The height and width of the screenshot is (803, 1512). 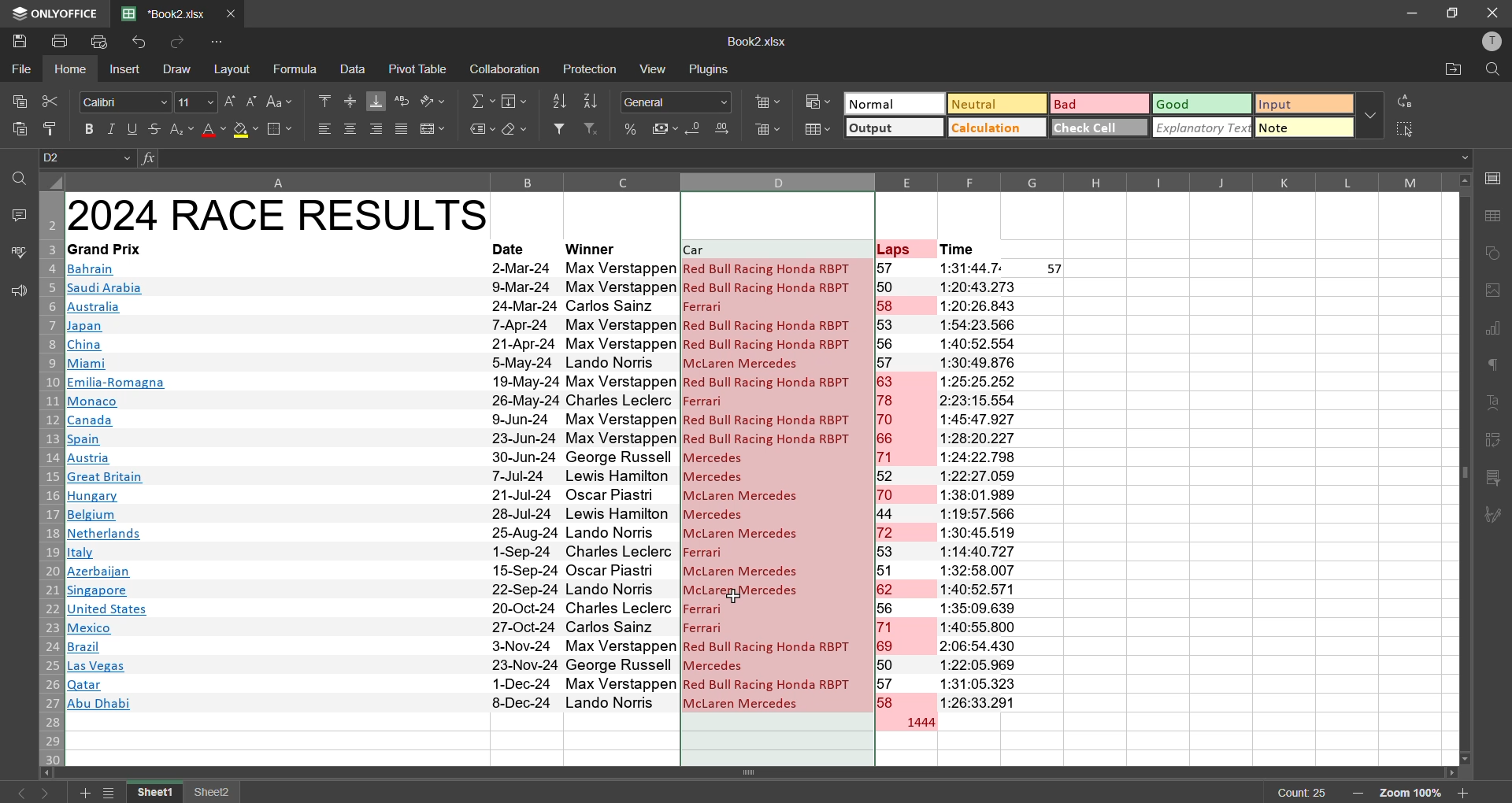 What do you see at coordinates (1494, 330) in the screenshot?
I see `charts` at bounding box center [1494, 330].